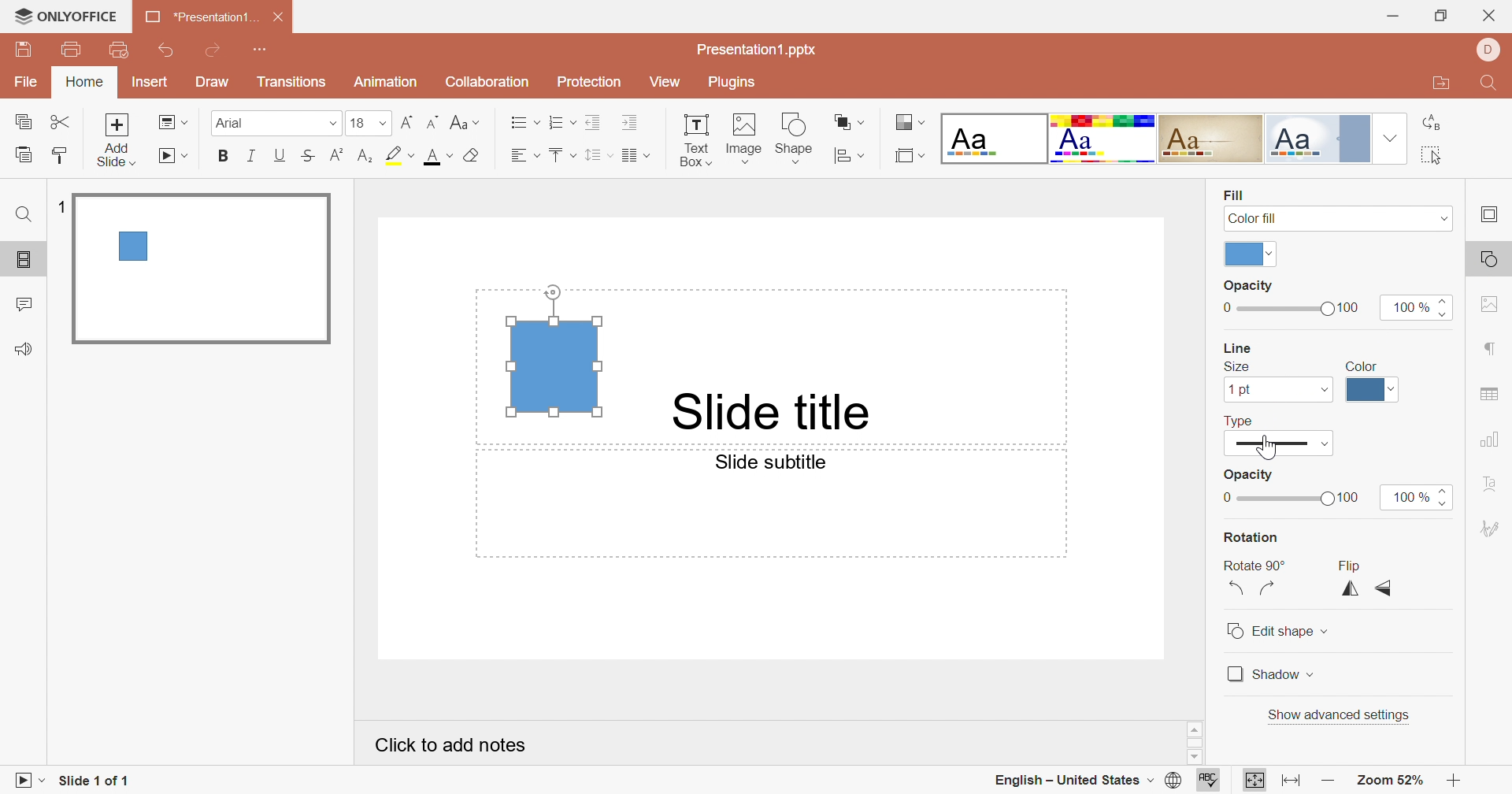 Image resolution: width=1512 pixels, height=794 pixels. I want to click on Arrange shape, so click(851, 121).